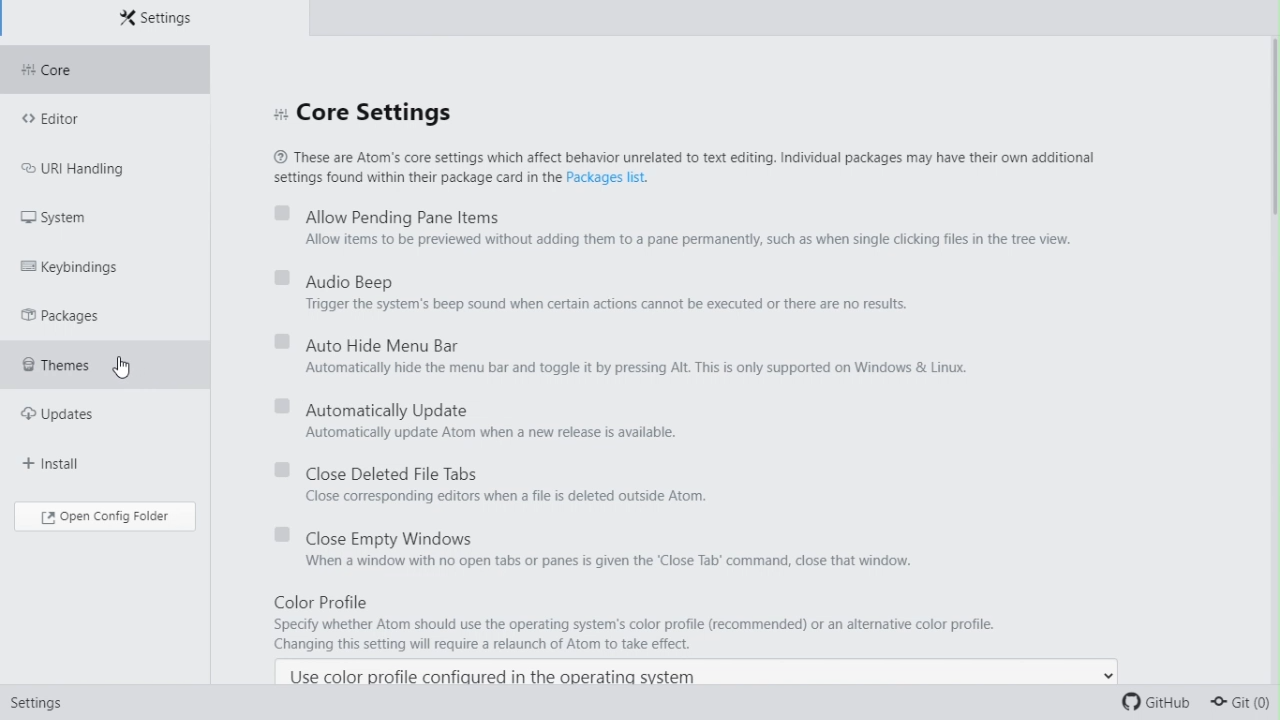  Describe the element at coordinates (376, 112) in the screenshot. I see `Core settings` at that location.